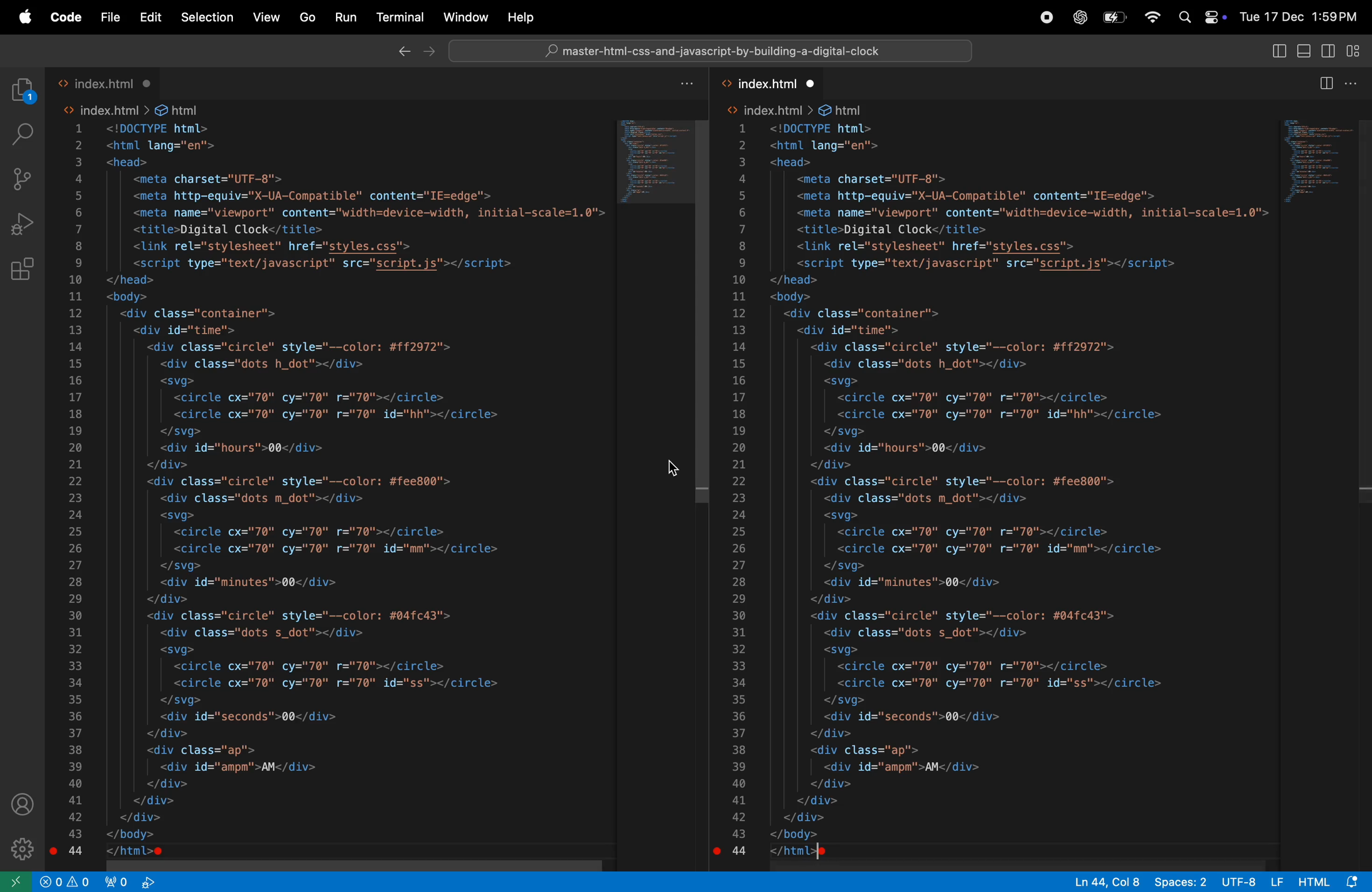 This screenshot has height=892, width=1372. I want to click on view, so click(266, 17).